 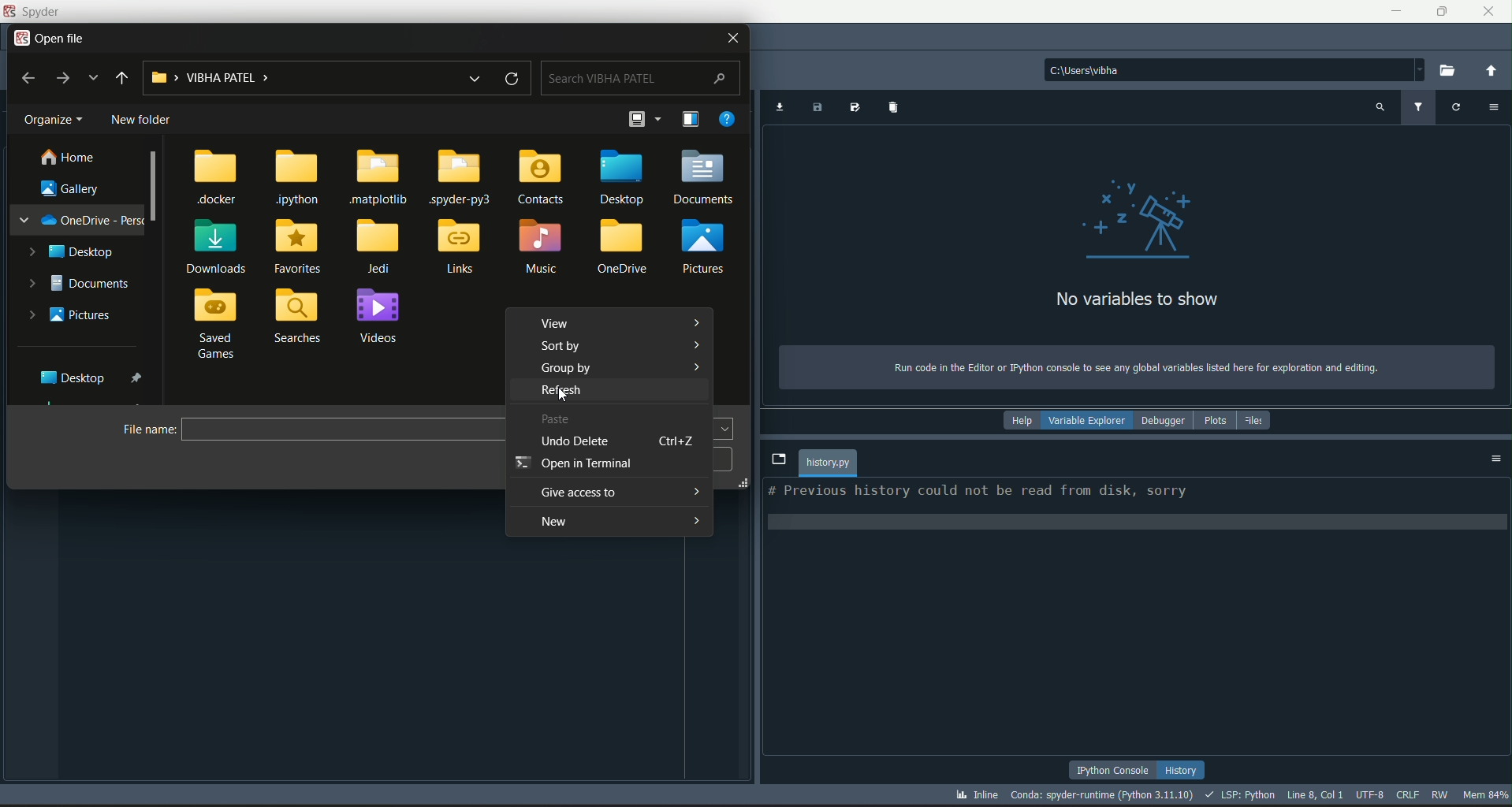 What do you see at coordinates (730, 118) in the screenshot?
I see `get help` at bounding box center [730, 118].